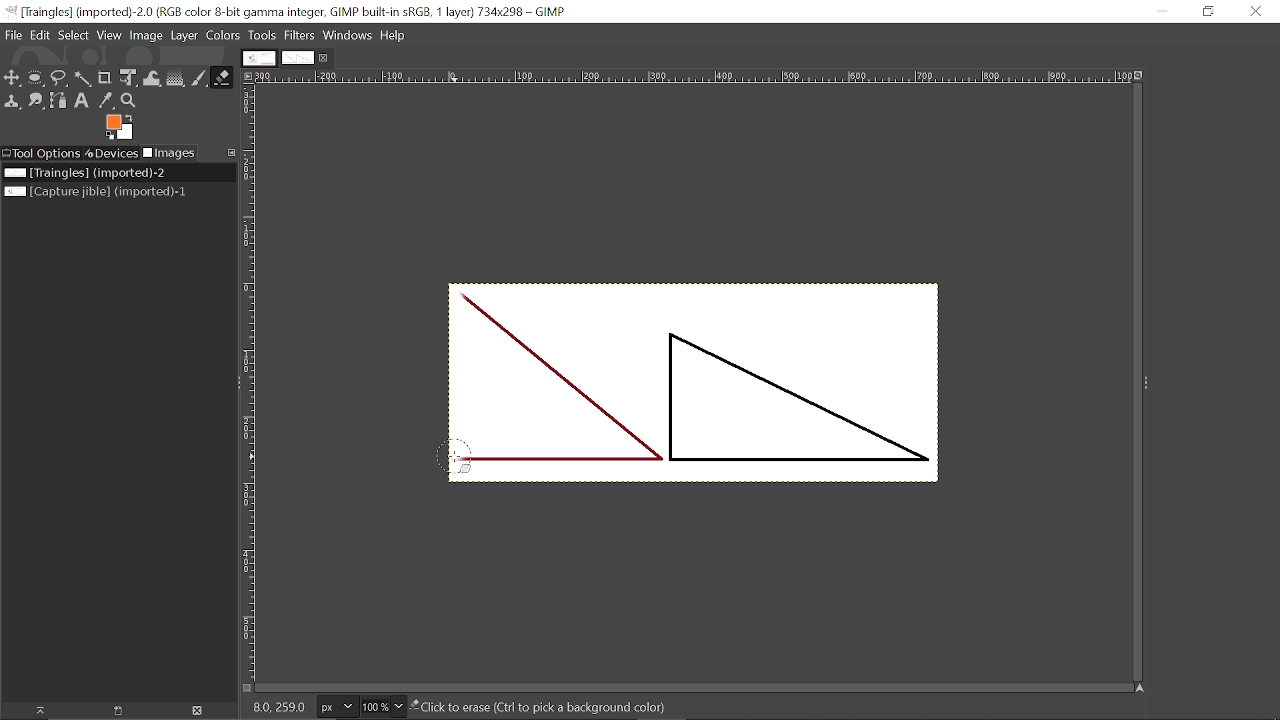 The width and height of the screenshot is (1280, 720). What do you see at coordinates (1162, 12) in the screenshot?
I see `Minimize` at bounding box center [1162, 12].